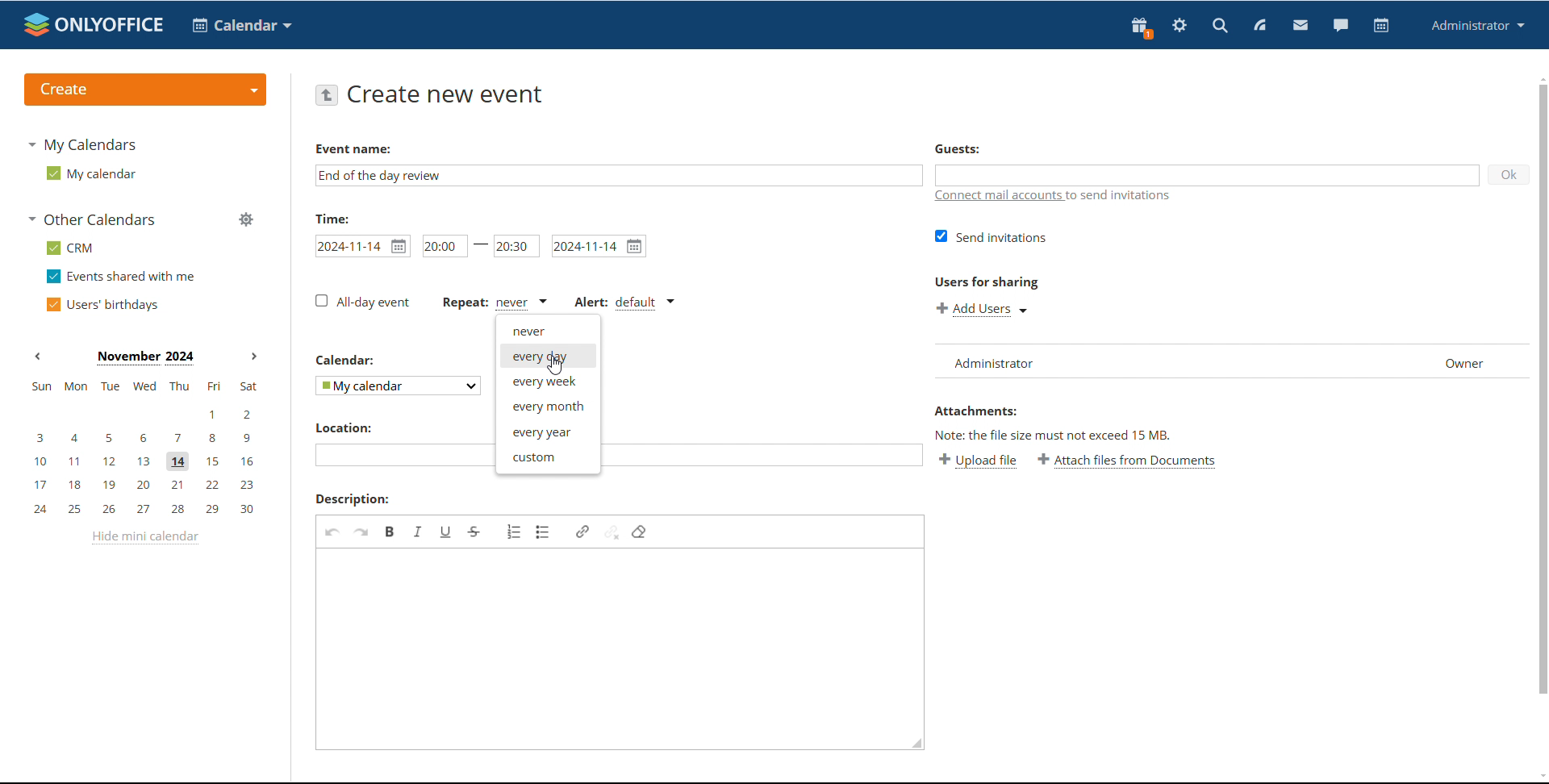  Describe the element at coordinates (1140, 27) in the screenshot. I see `present` at that location.